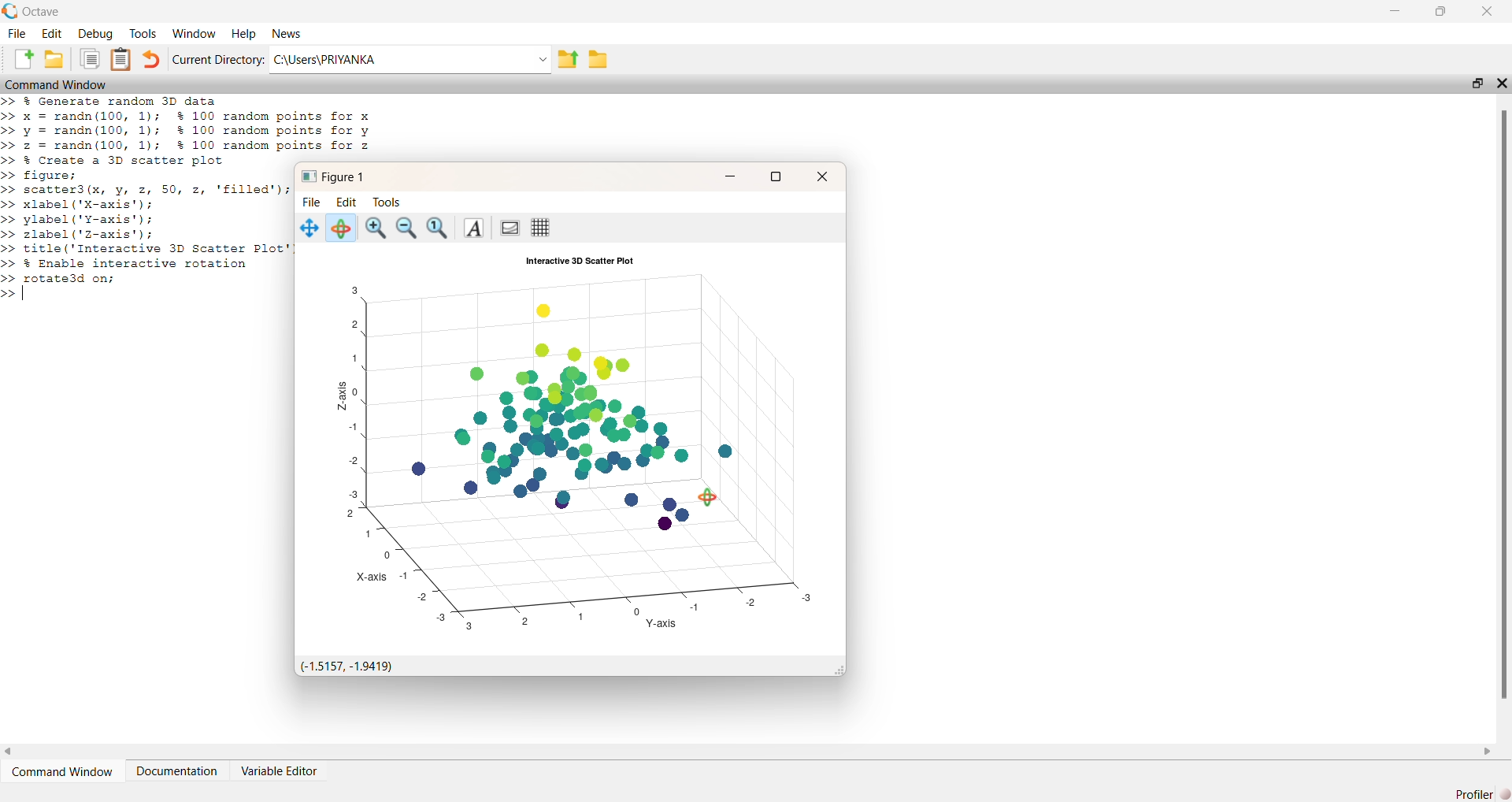 The height and width of the screenshot is (802, 1512). What do you see at coordinates (350, 666) in the screenshot?
I see `(-1.5157, -1.9419)` at bounding box center [350, 666].